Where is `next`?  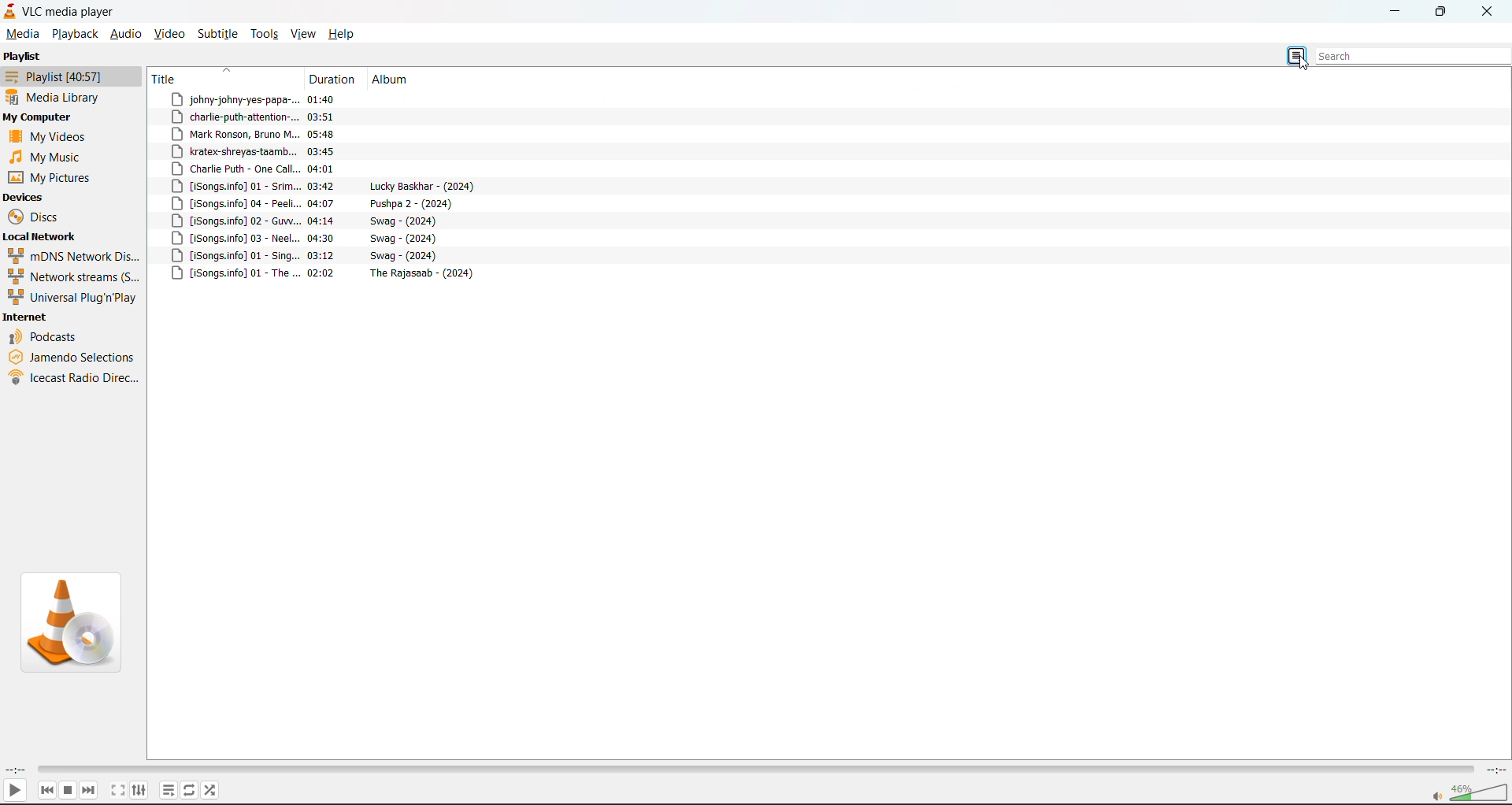
next is located at coordinates (90, 789).